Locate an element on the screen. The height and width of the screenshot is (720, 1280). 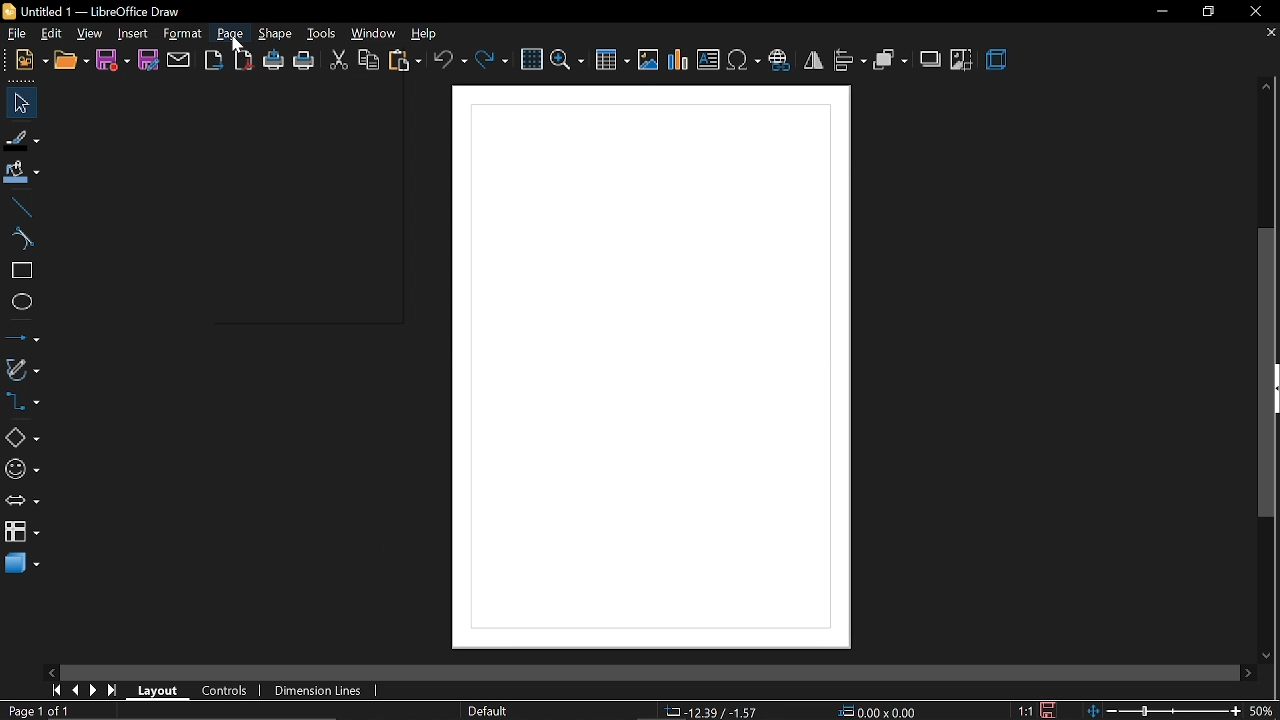
arrows is located at coordinates (23, 502).